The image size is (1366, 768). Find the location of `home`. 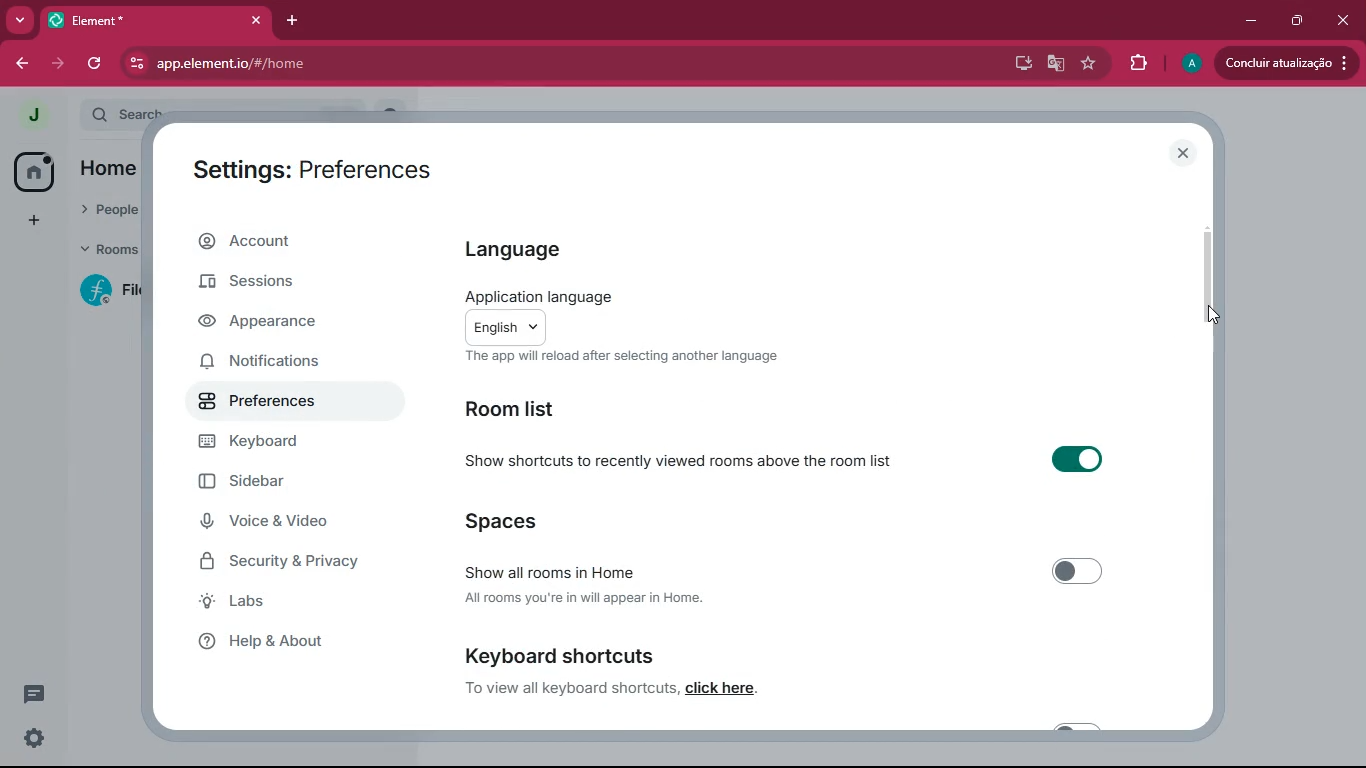

home is located at coordinates (32, 171).